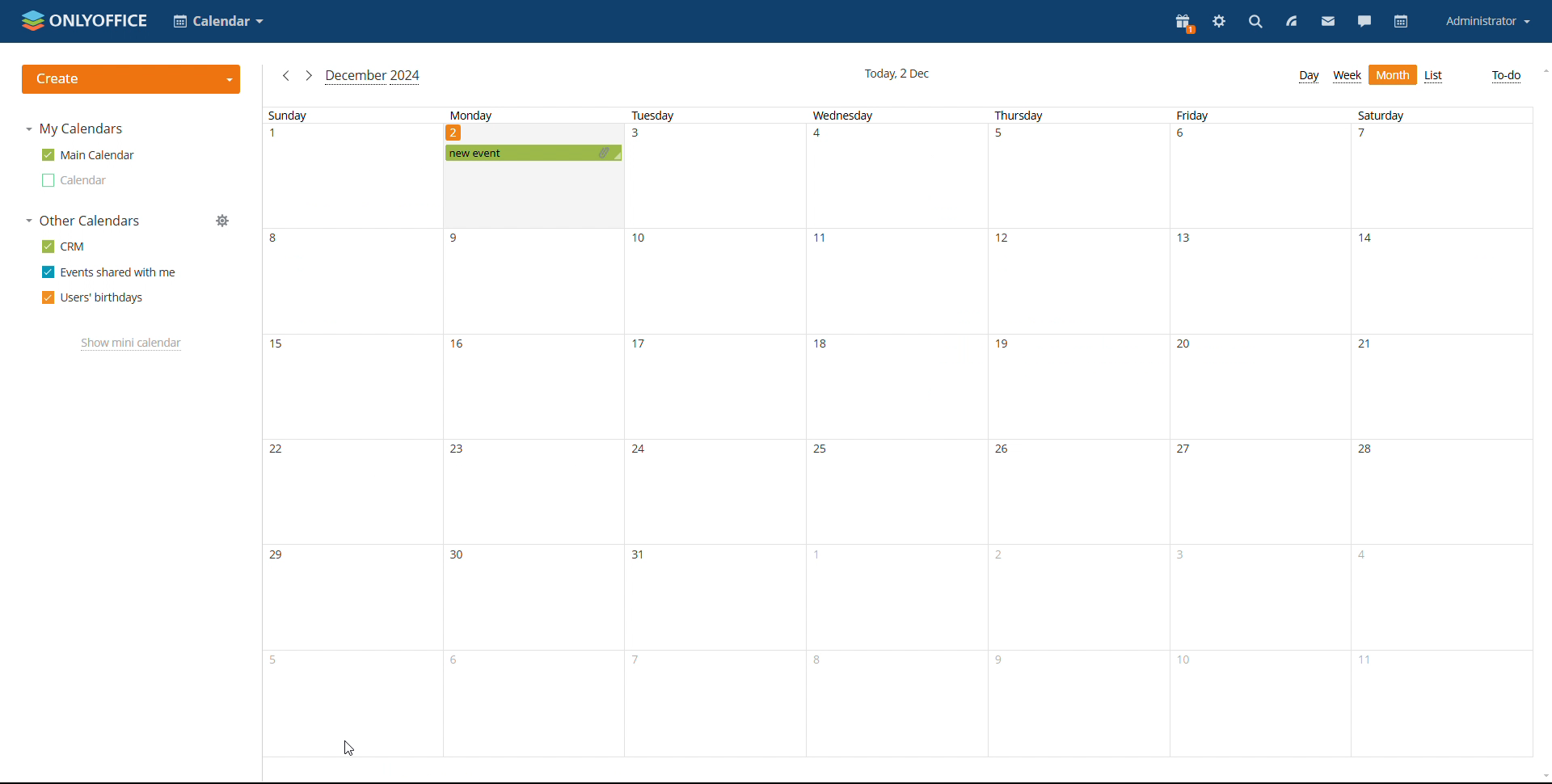 The height and width of the screenshot is (784, 1552). Describe the element at coordinates (896, 431) in the screenshot. I see `wednesday` at that location.